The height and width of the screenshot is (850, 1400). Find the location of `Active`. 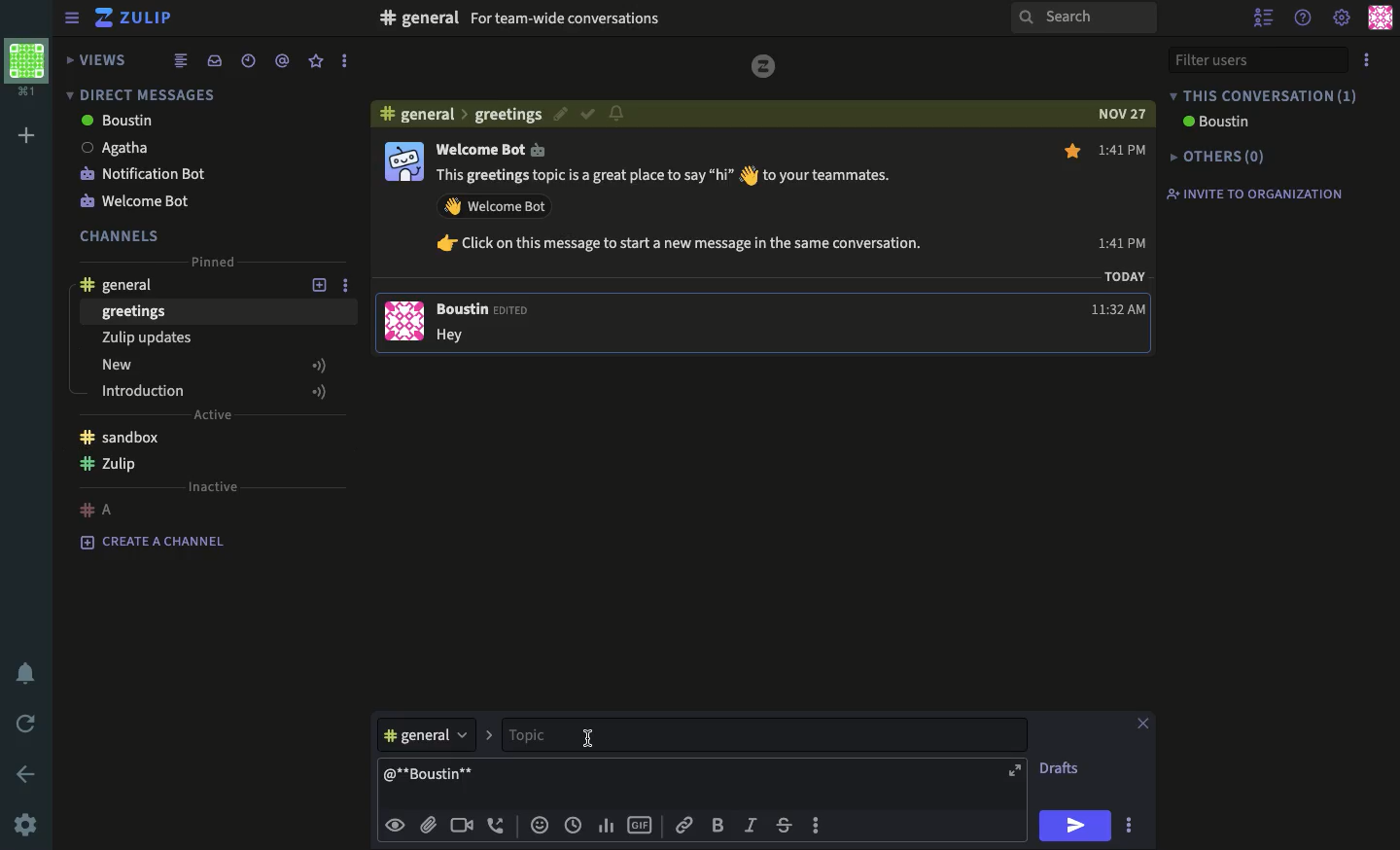

Active is located at coordinates (220, 413).